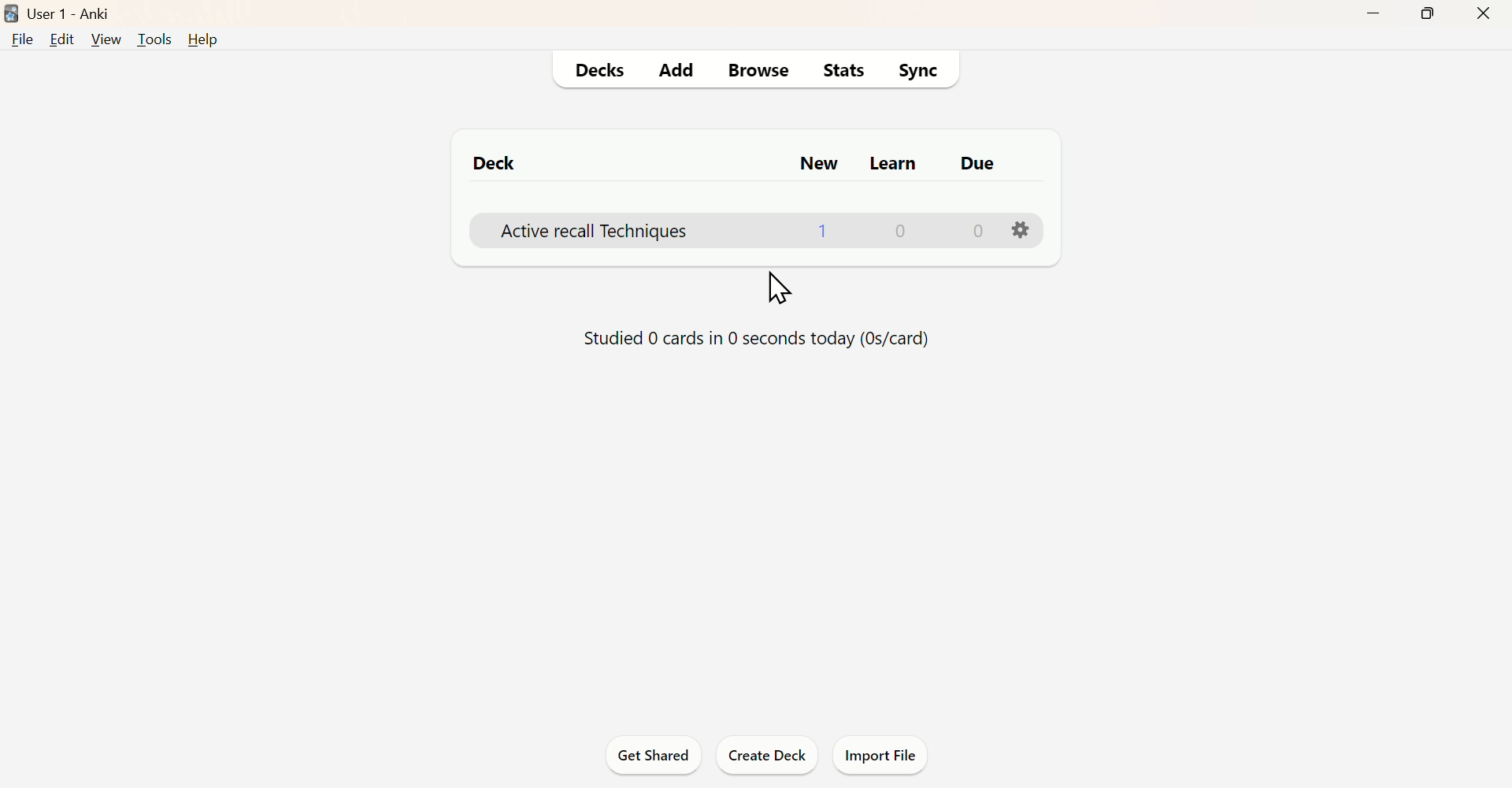 Image resolution: width=1512 pixels, height=788 pixels. What do you see at coordinates (1373, 15) in the screenshot?
I see `Minimise` at bounding box center [1373, 15].